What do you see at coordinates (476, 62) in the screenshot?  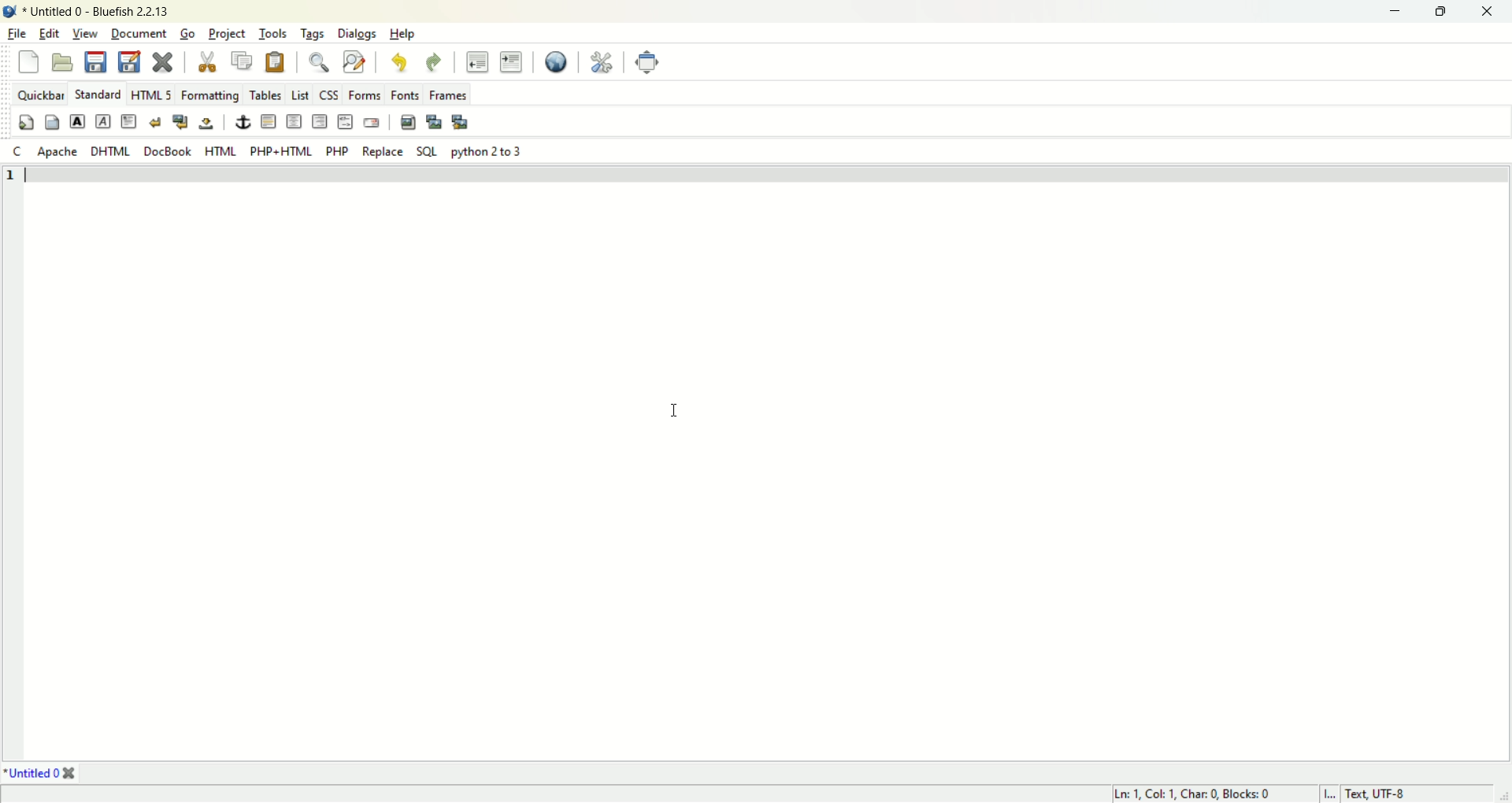 I see `unident` at bounding box center [476, 62].